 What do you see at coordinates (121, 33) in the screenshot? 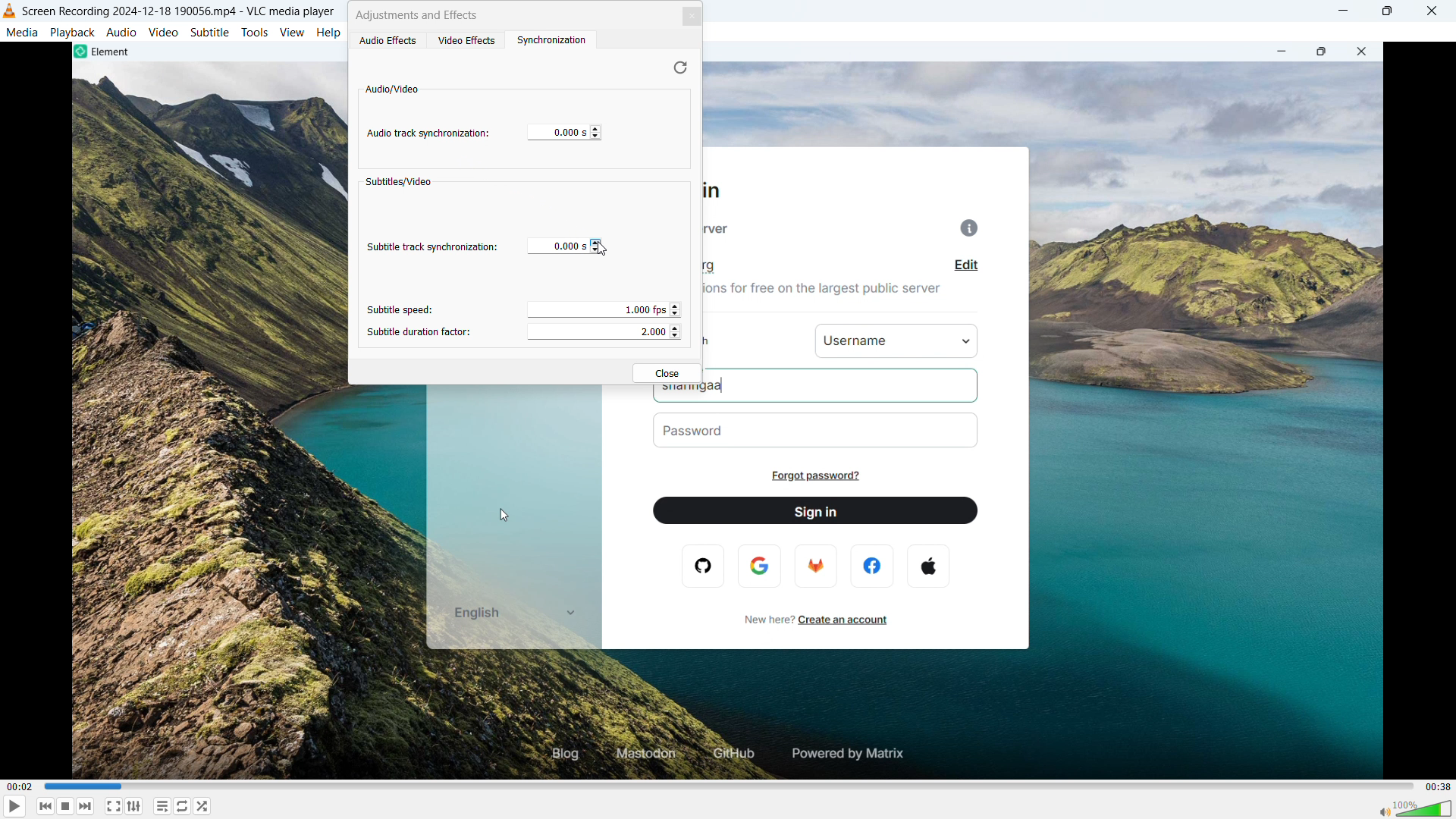
I see `audio` at bounding box center [121, 33].